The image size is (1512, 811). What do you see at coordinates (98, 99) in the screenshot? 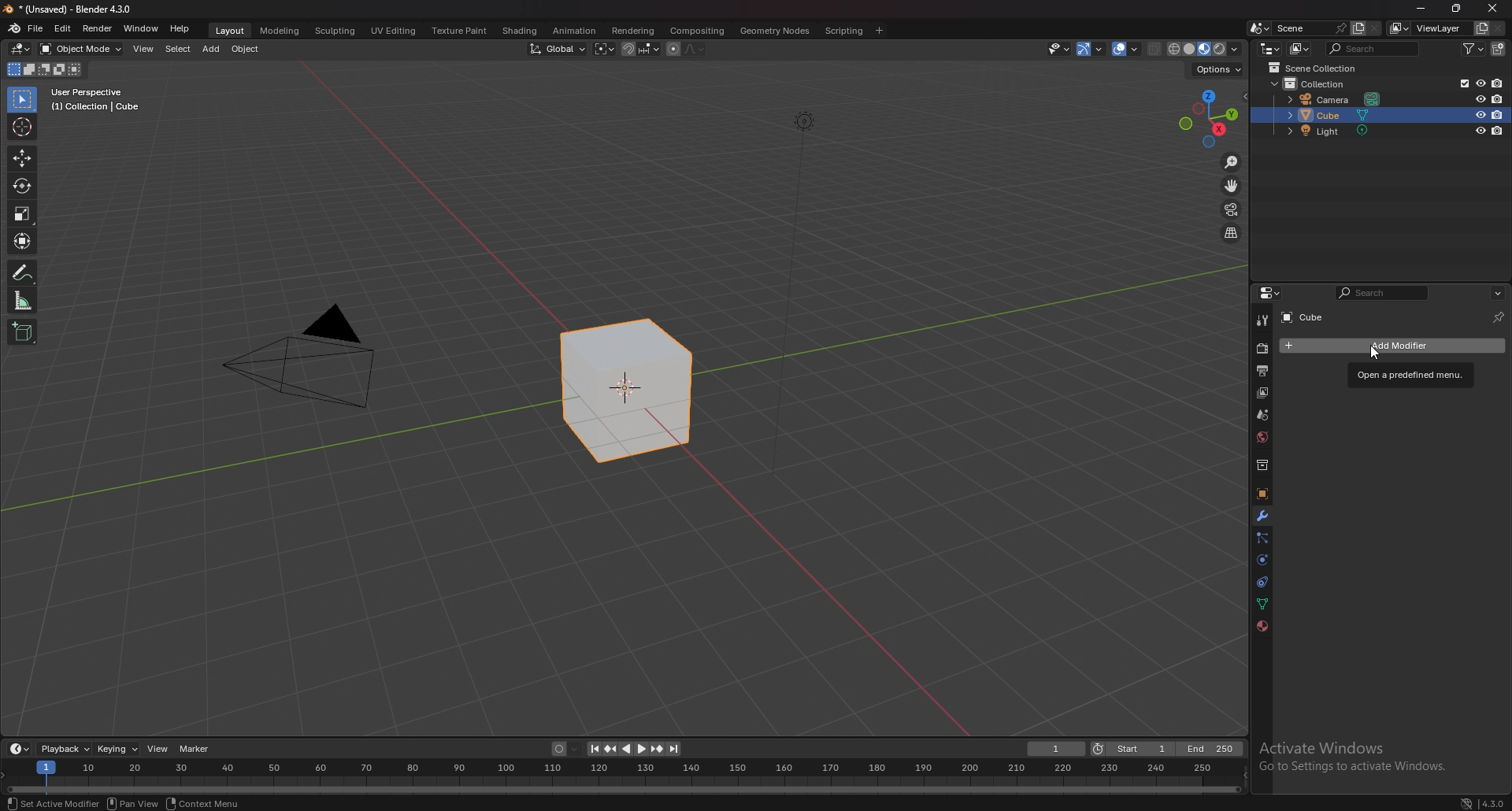
I see `info` at bounding box center [98, 99].